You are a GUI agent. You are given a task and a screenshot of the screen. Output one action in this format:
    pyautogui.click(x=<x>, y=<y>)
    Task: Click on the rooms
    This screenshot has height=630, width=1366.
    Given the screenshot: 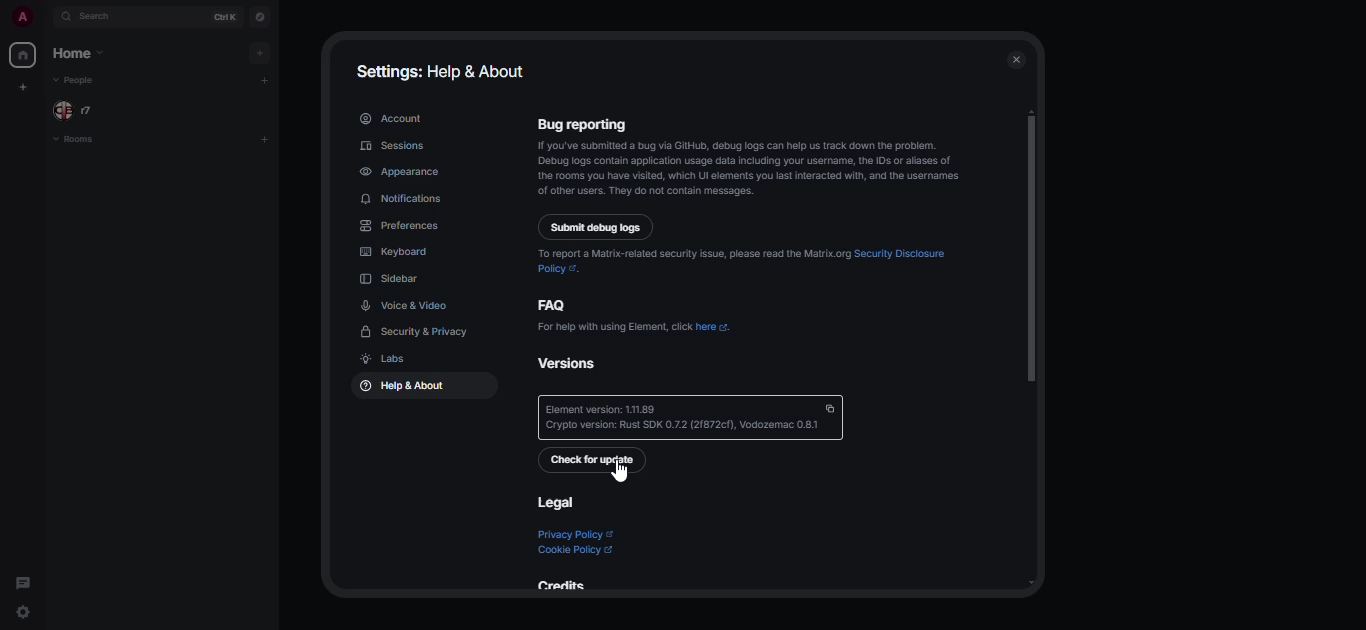 What is the action you would take?
    pyautogui.click(x=83, y=140)
    